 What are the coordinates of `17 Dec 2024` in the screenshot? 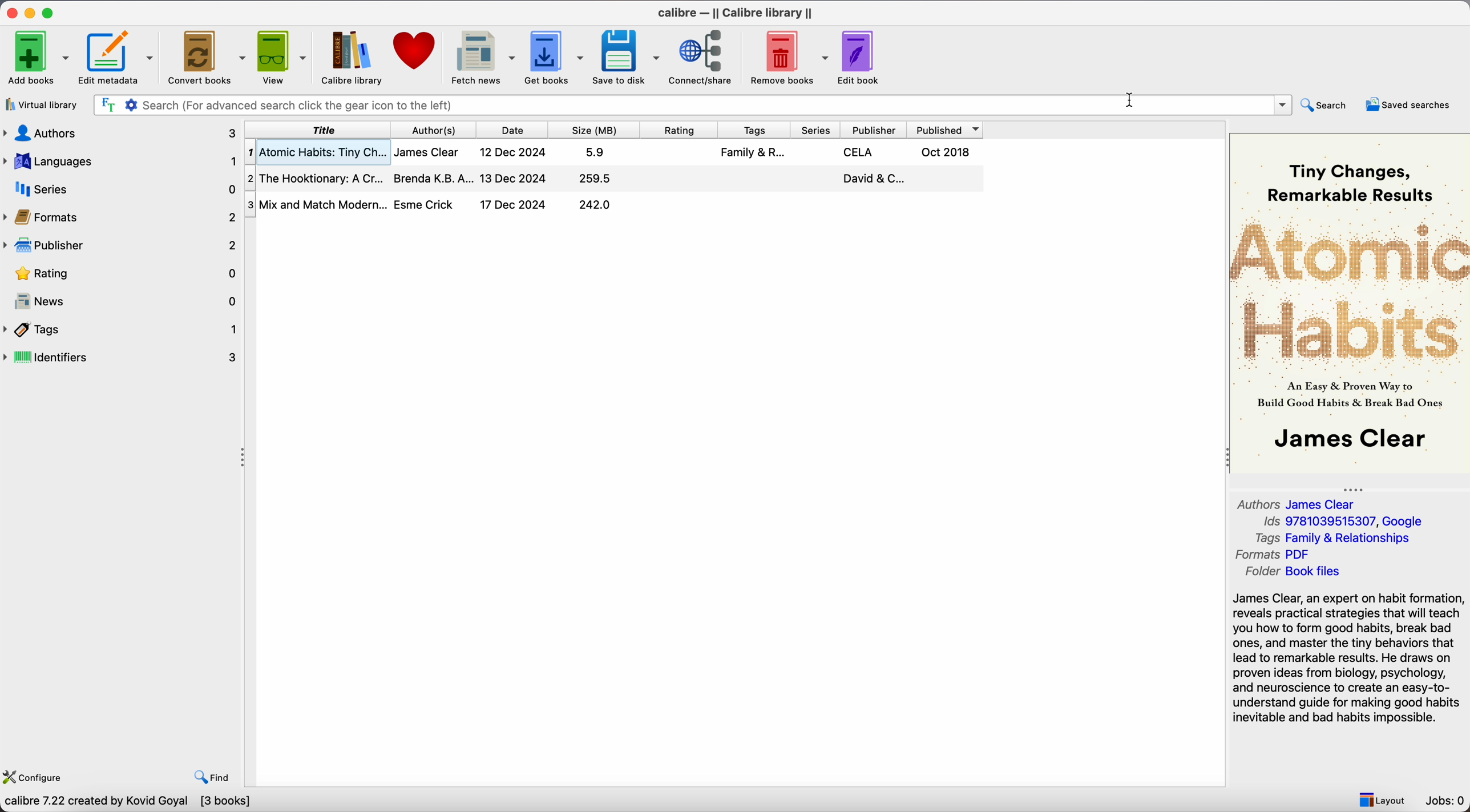 It's located at (513, 204).